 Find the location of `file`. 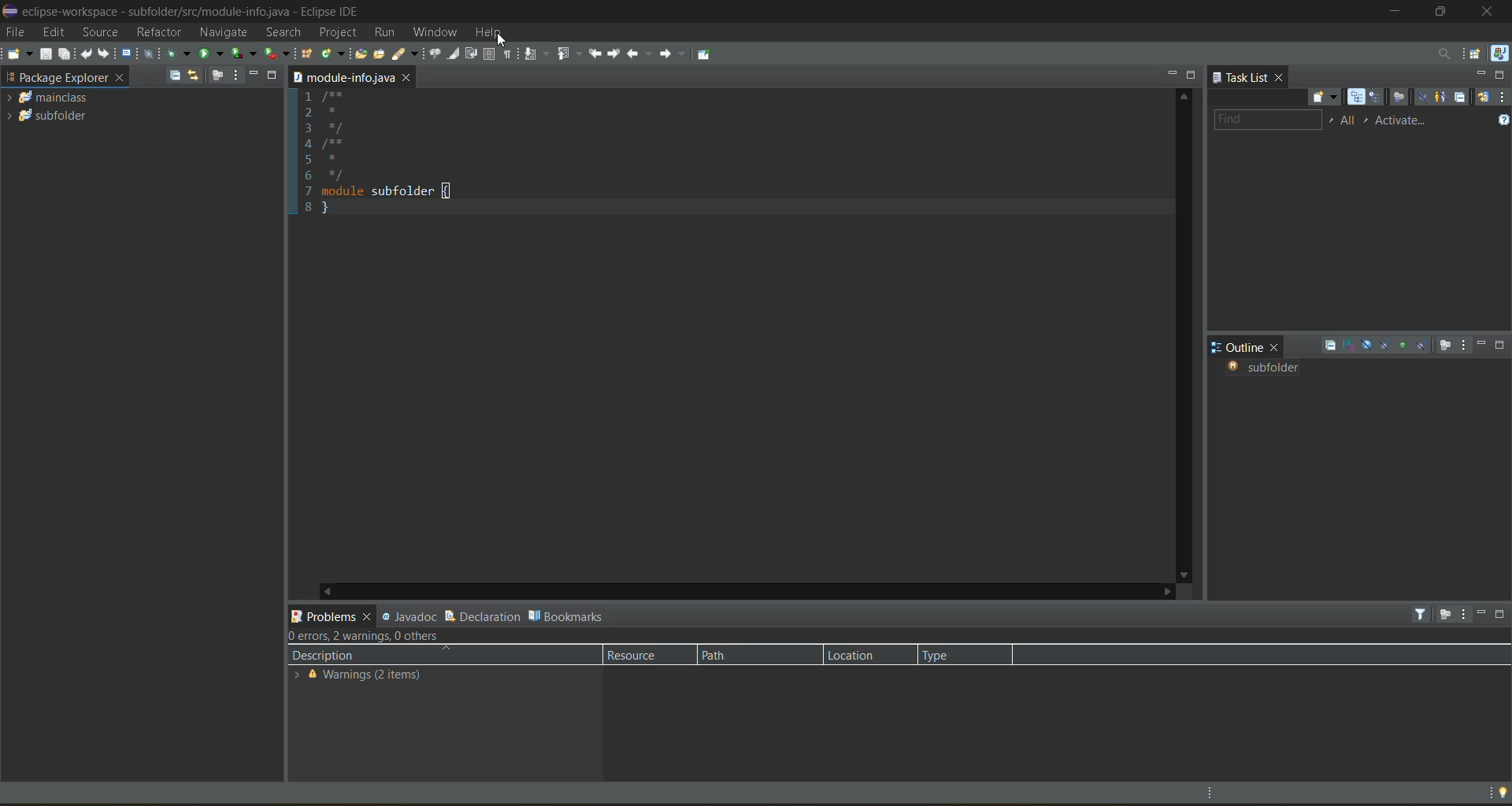

file is located at coordinates (14, 33).